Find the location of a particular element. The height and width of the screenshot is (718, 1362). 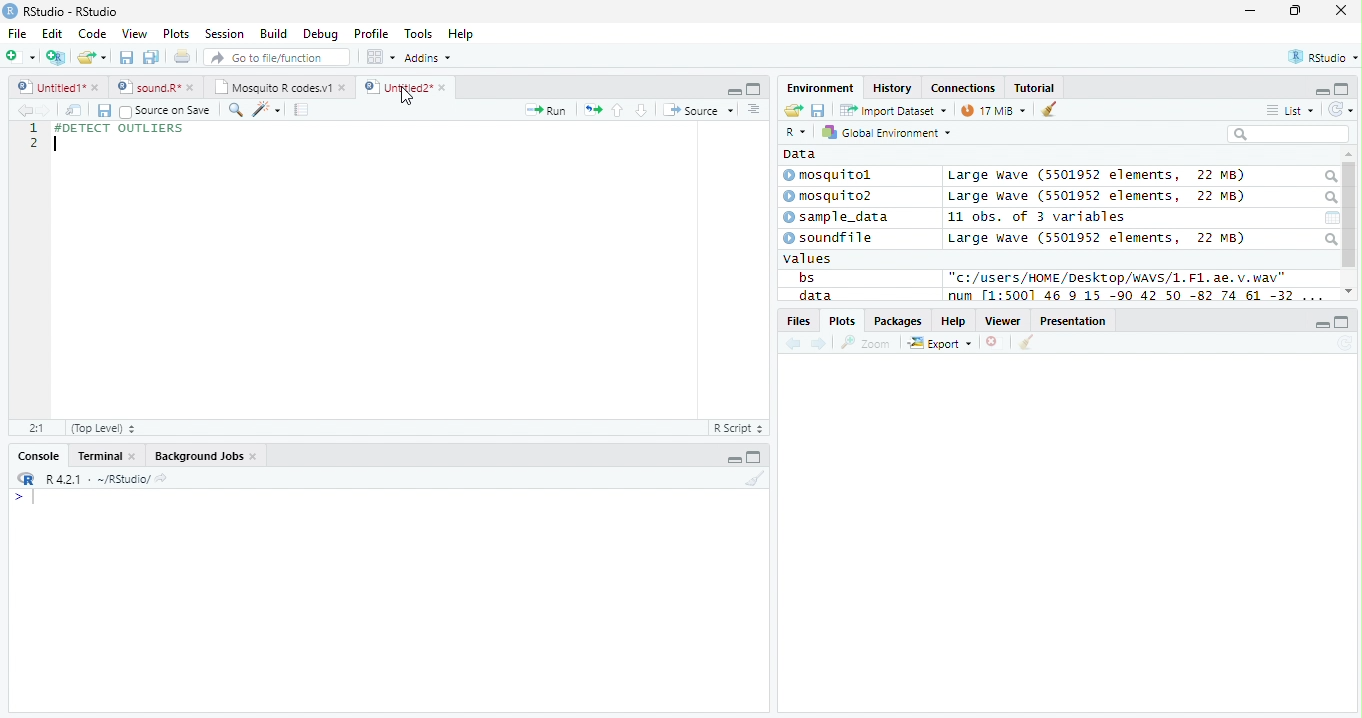

17 MiB is located at coordinates (993, 110).